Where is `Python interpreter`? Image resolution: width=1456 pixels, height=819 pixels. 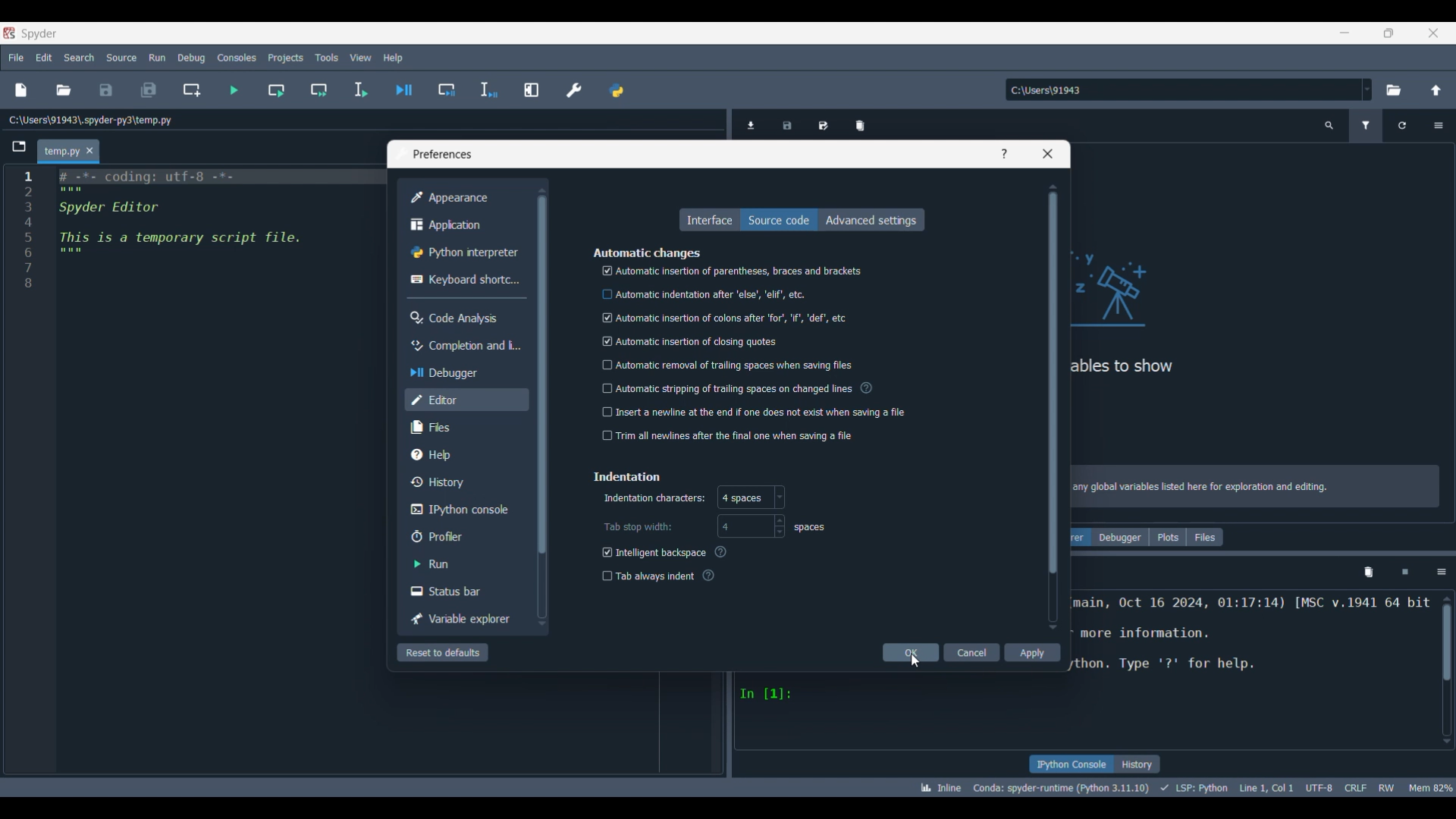 Python interpreter is located at coordinates (466, 253).